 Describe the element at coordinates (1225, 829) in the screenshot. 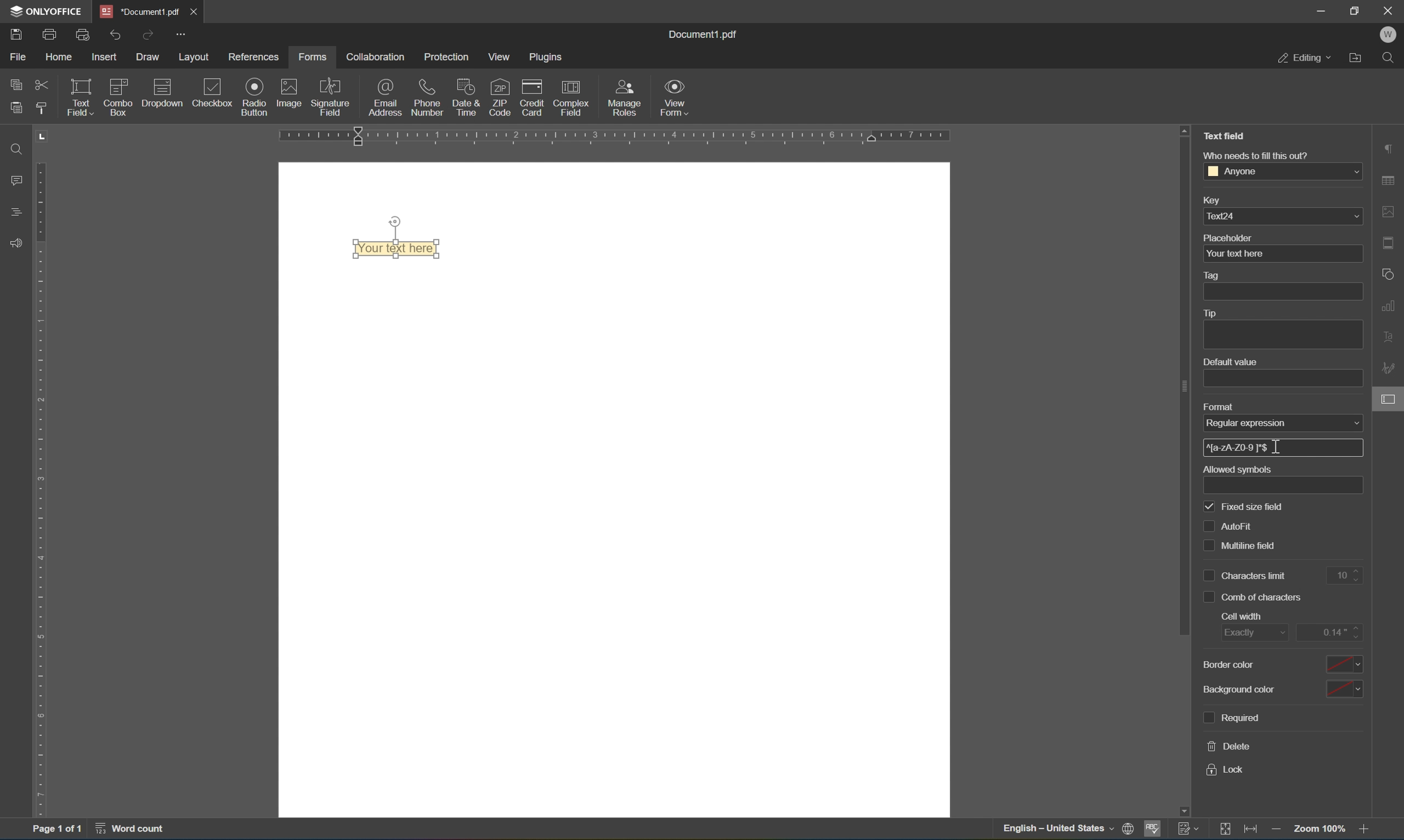

I see `fit to page` at that location.